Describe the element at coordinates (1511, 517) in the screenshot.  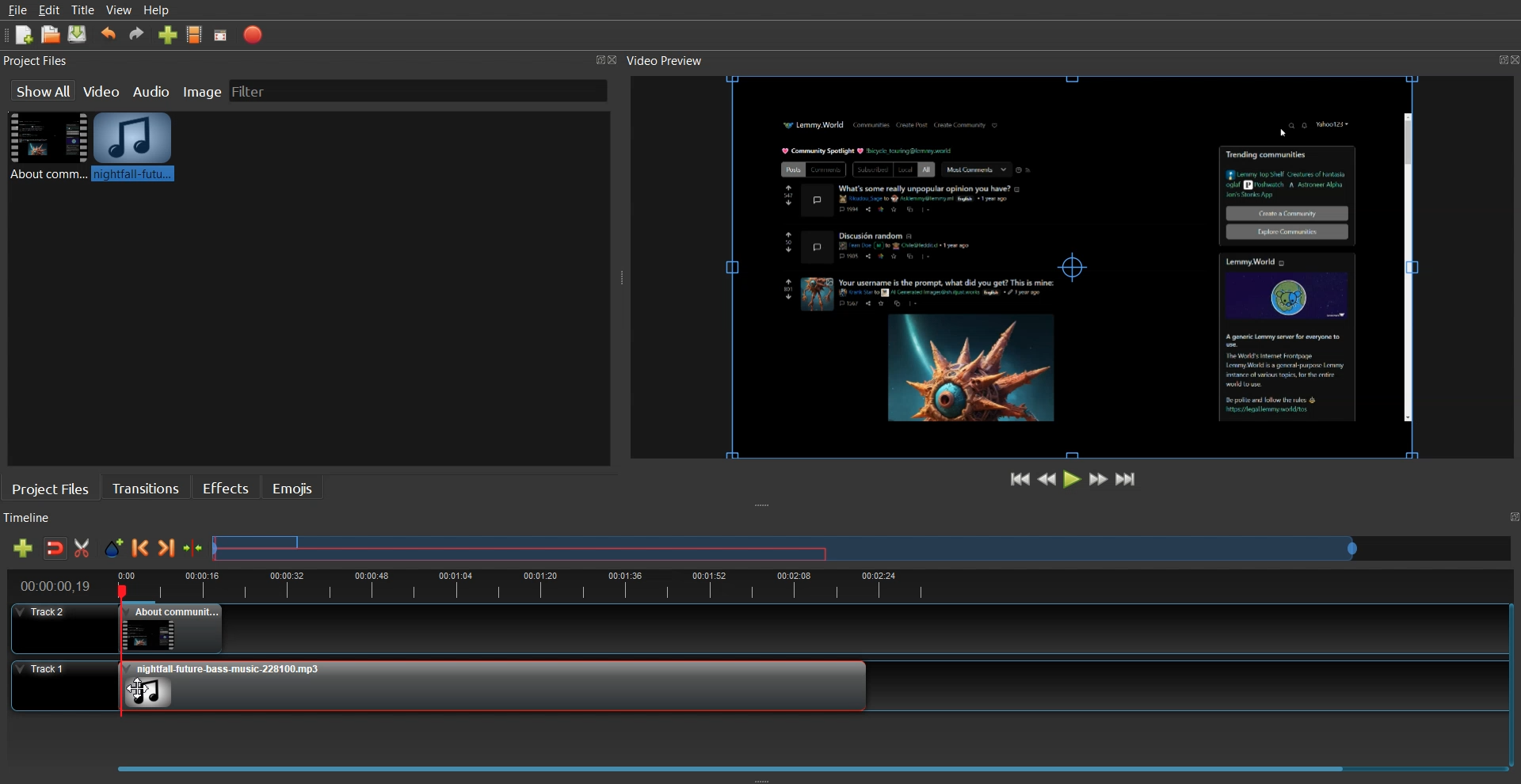
I see `Maximize` at that location.